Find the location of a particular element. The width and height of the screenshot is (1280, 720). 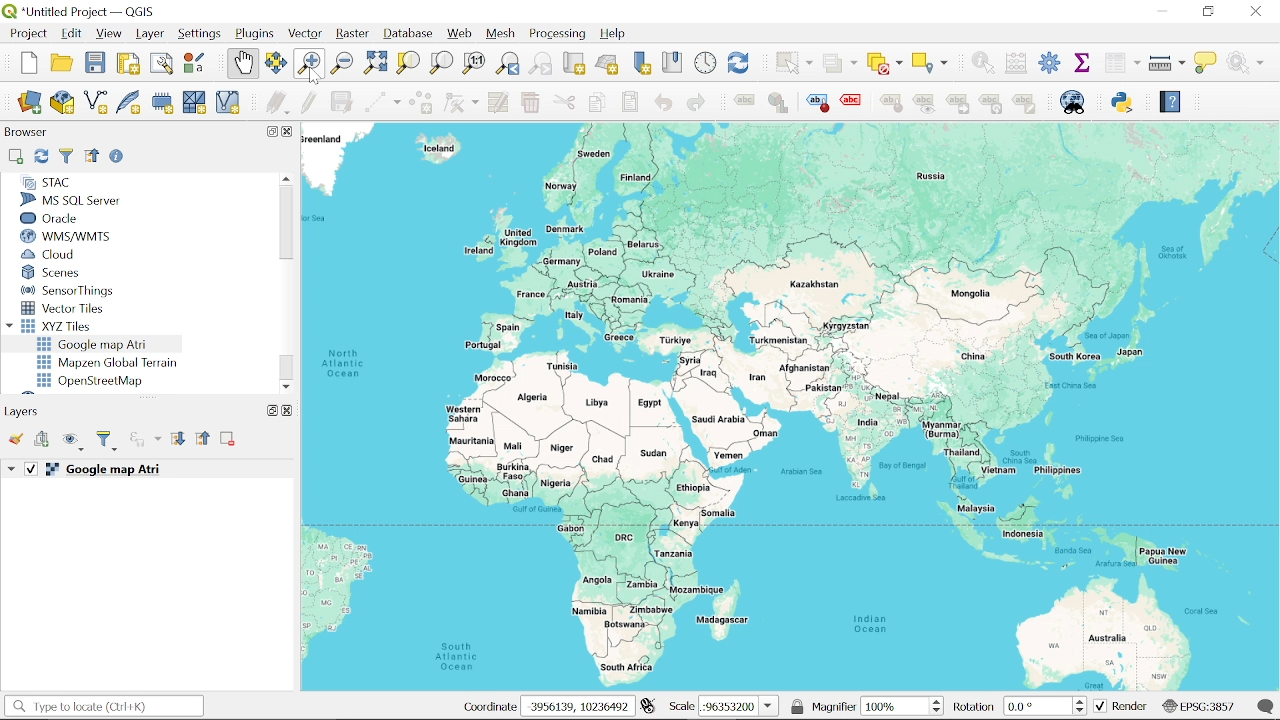

OpenStreetMap is located at coordinates (93, 381).